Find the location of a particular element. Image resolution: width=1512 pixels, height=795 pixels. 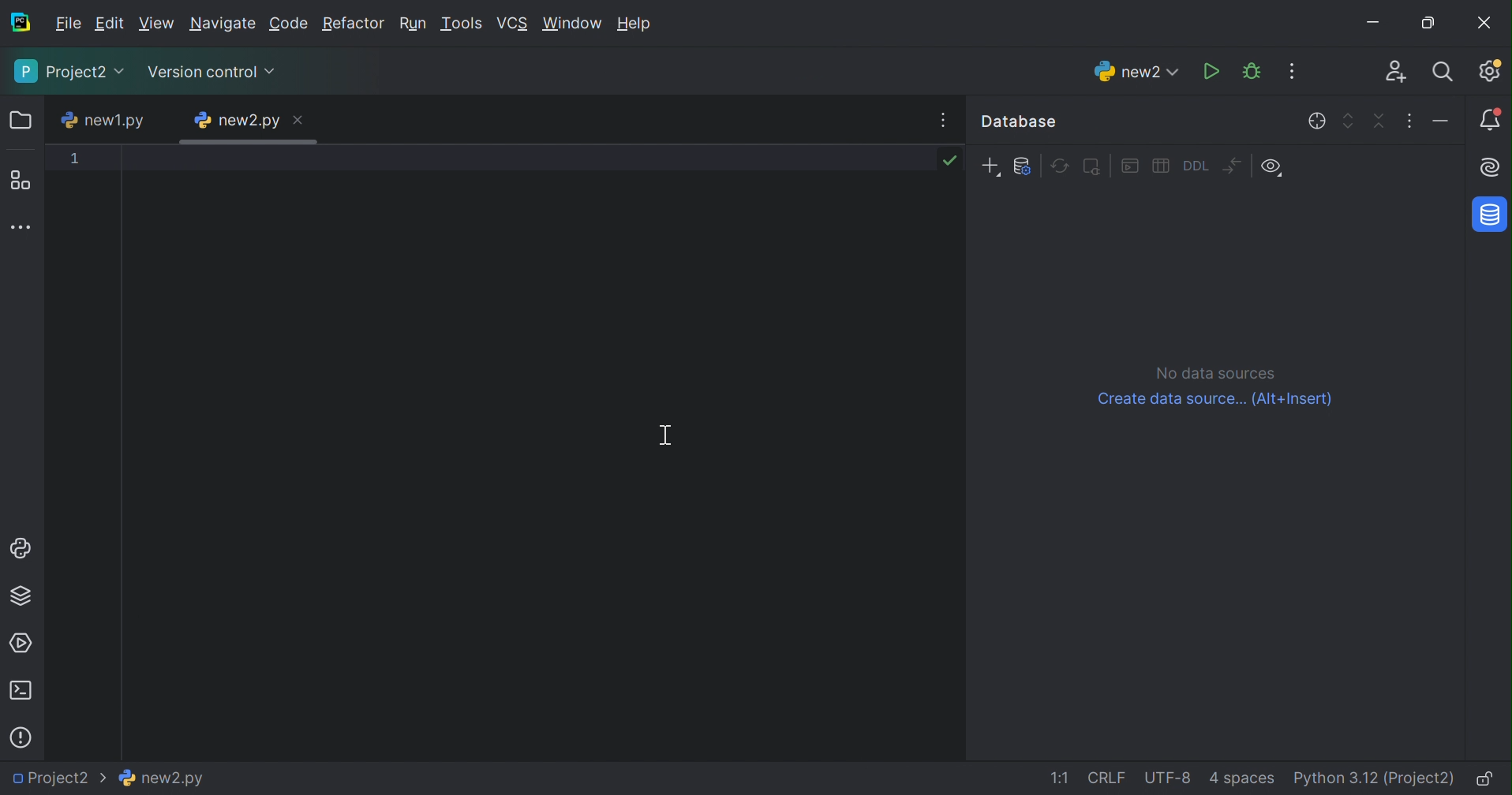

Project2 is located at coordinates (69, 72).